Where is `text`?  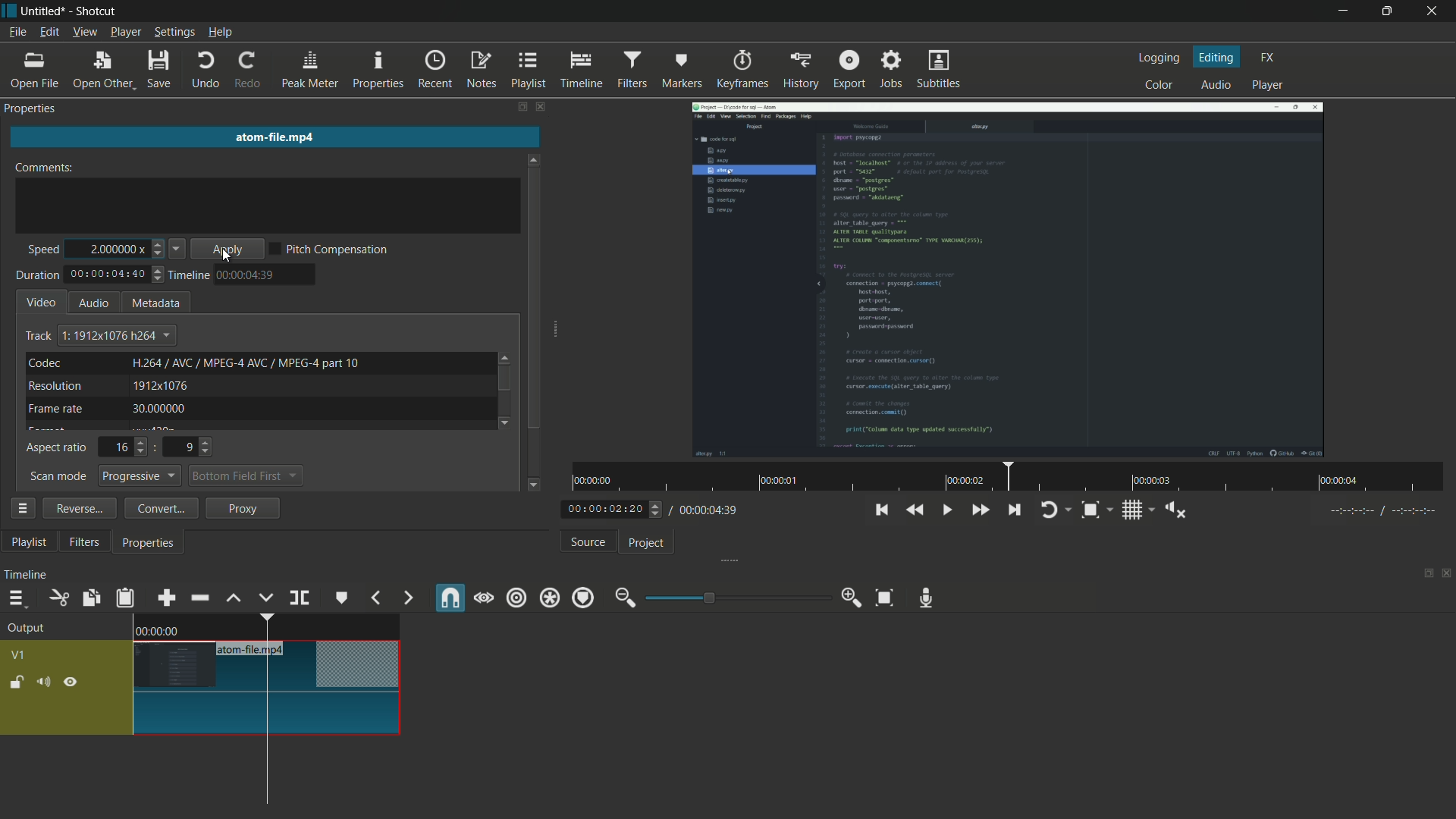
text is located at coordinates (117, 334).